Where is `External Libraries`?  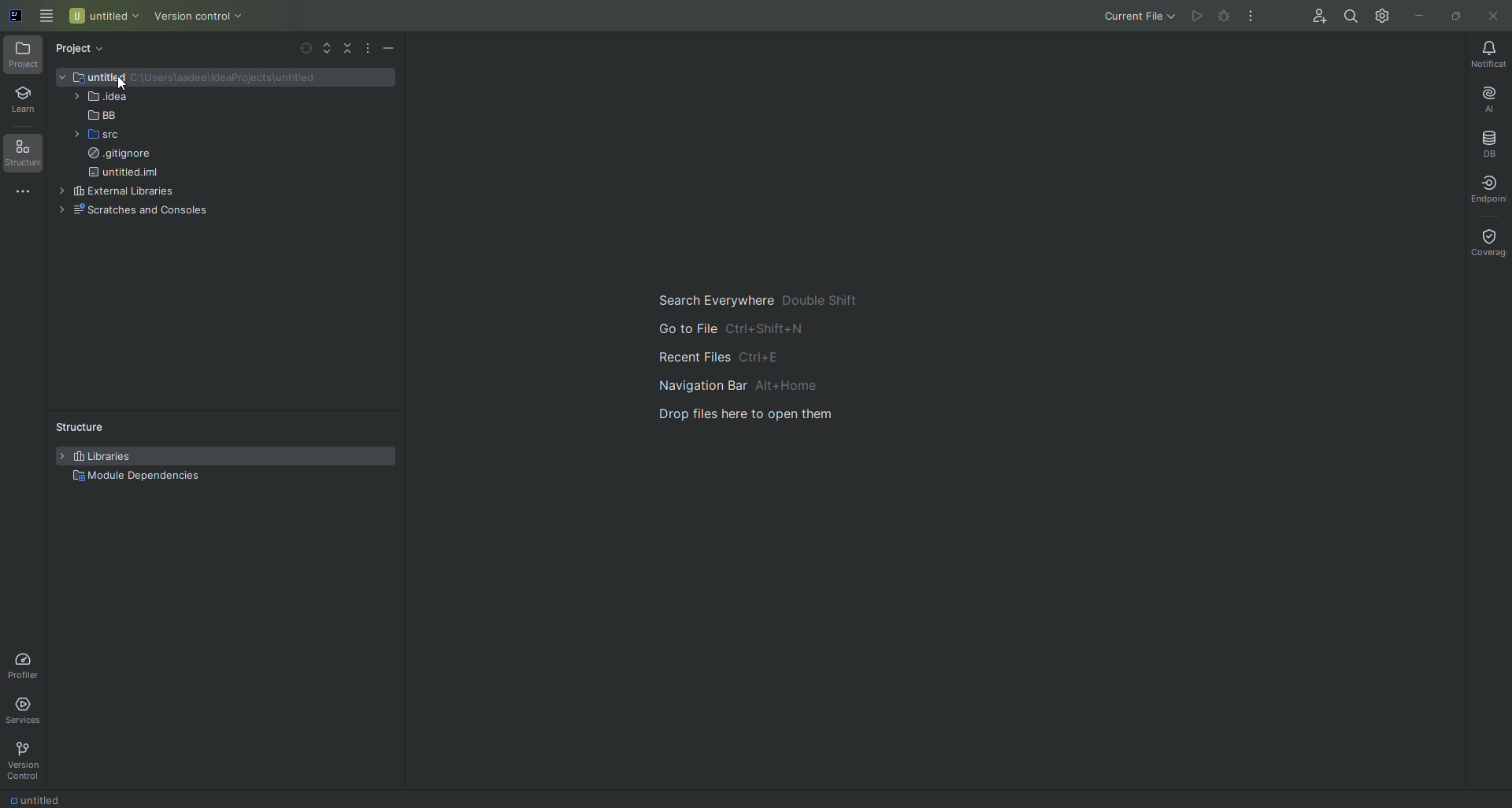
External Libraries is located at coordinates (115, 191).